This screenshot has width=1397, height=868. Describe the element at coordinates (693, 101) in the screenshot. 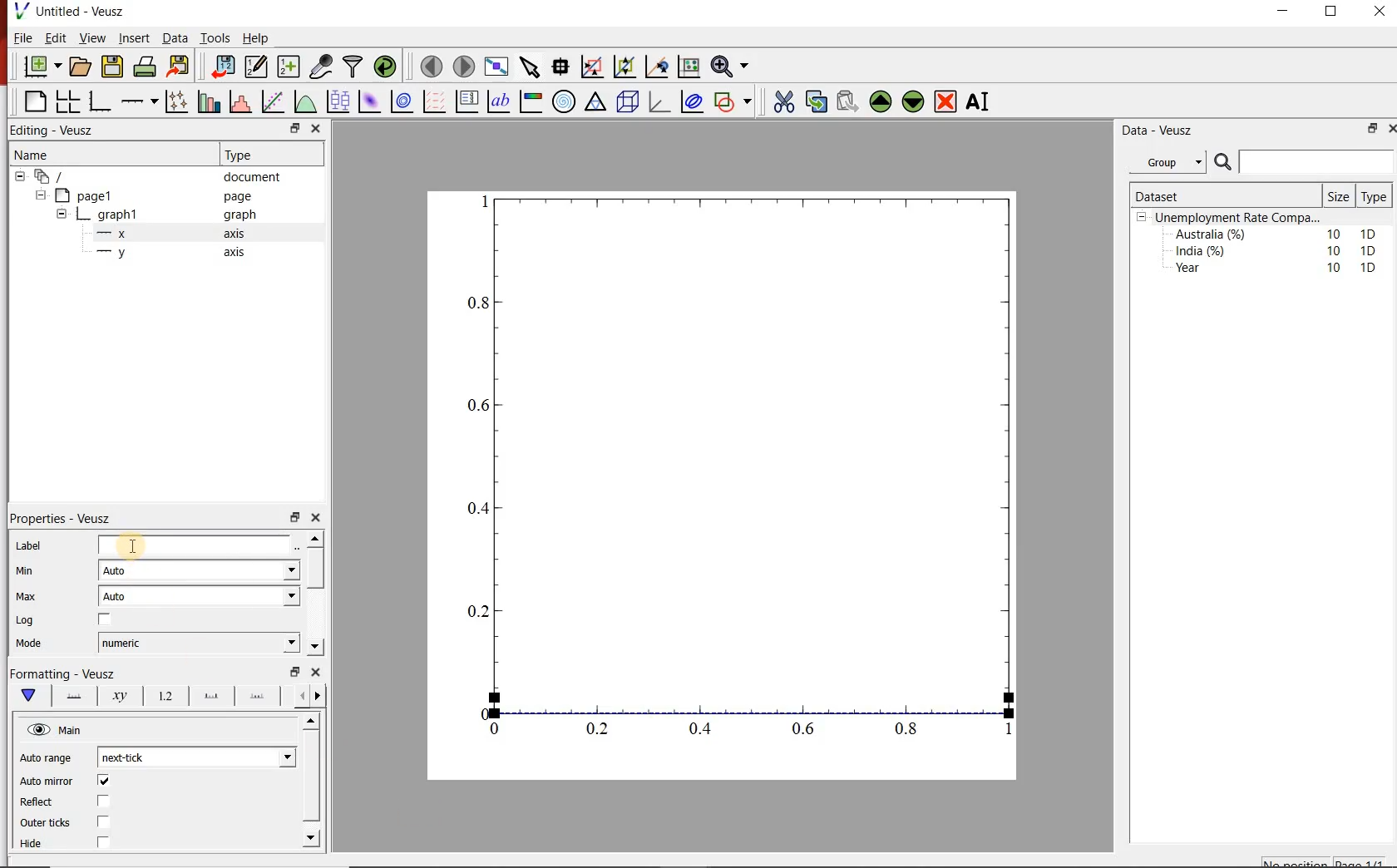

I see `plot covariance ellipses` at that location.